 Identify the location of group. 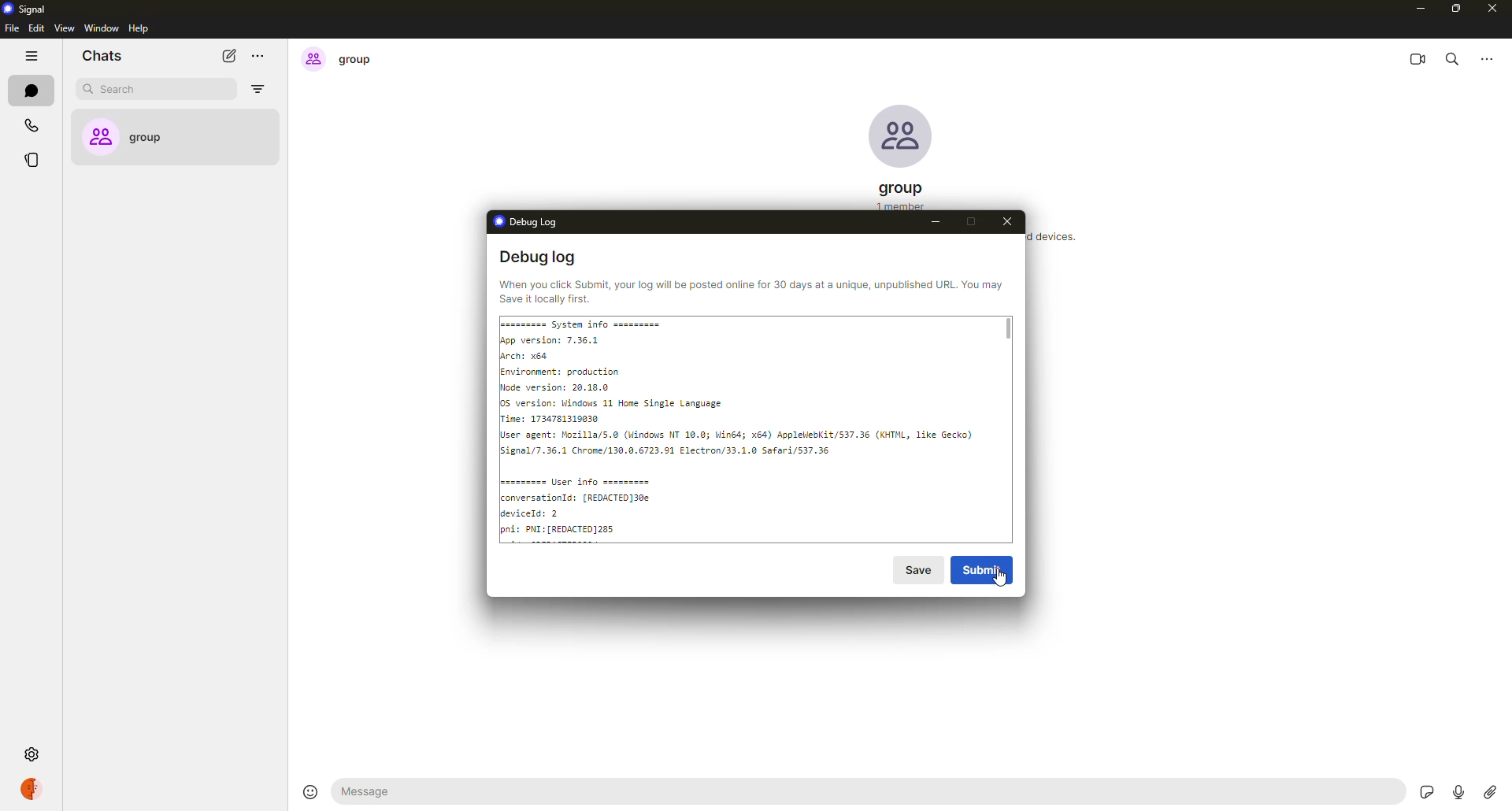
(167, 137).